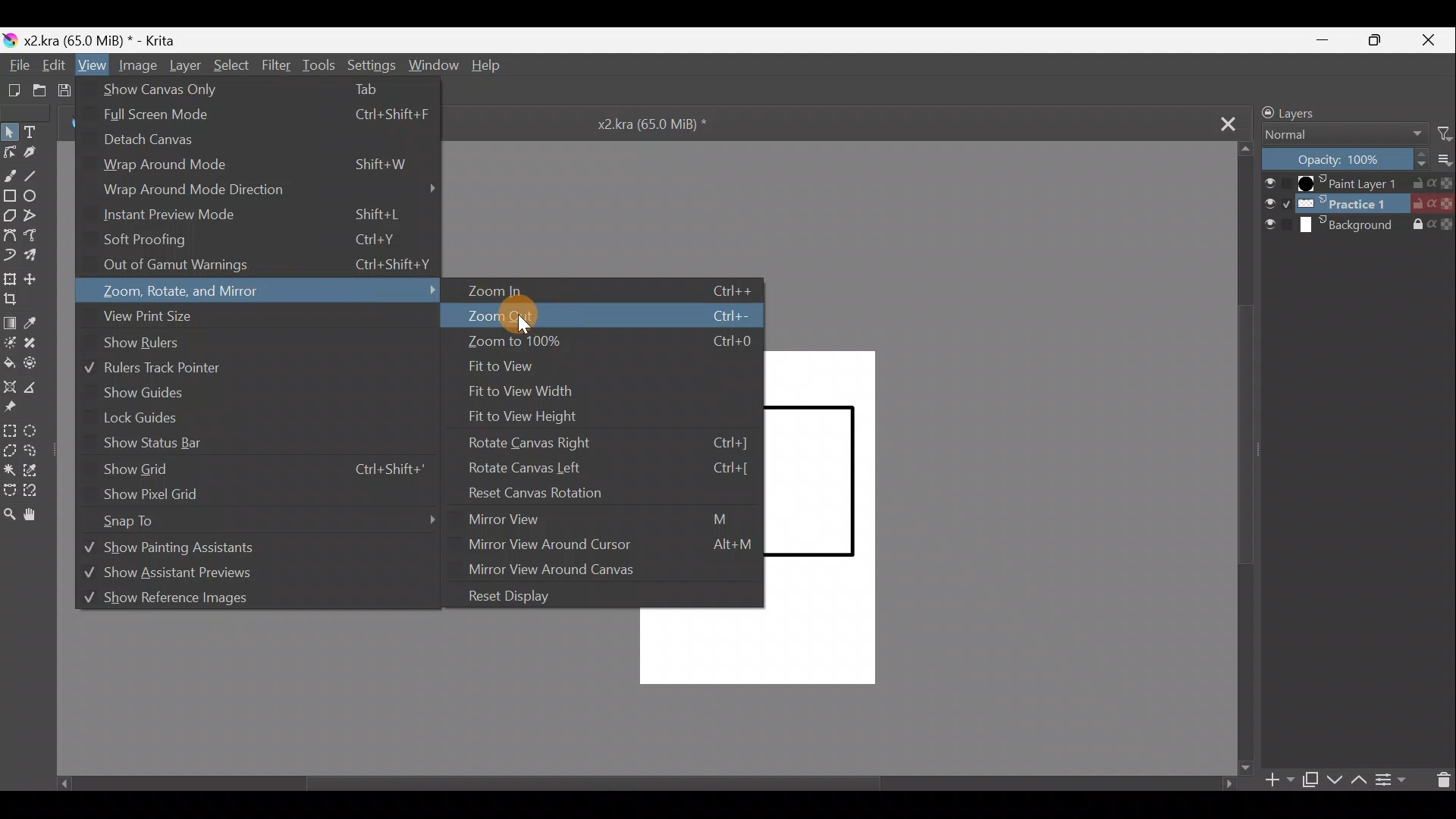  I want to click on More, so click(1447, 160).